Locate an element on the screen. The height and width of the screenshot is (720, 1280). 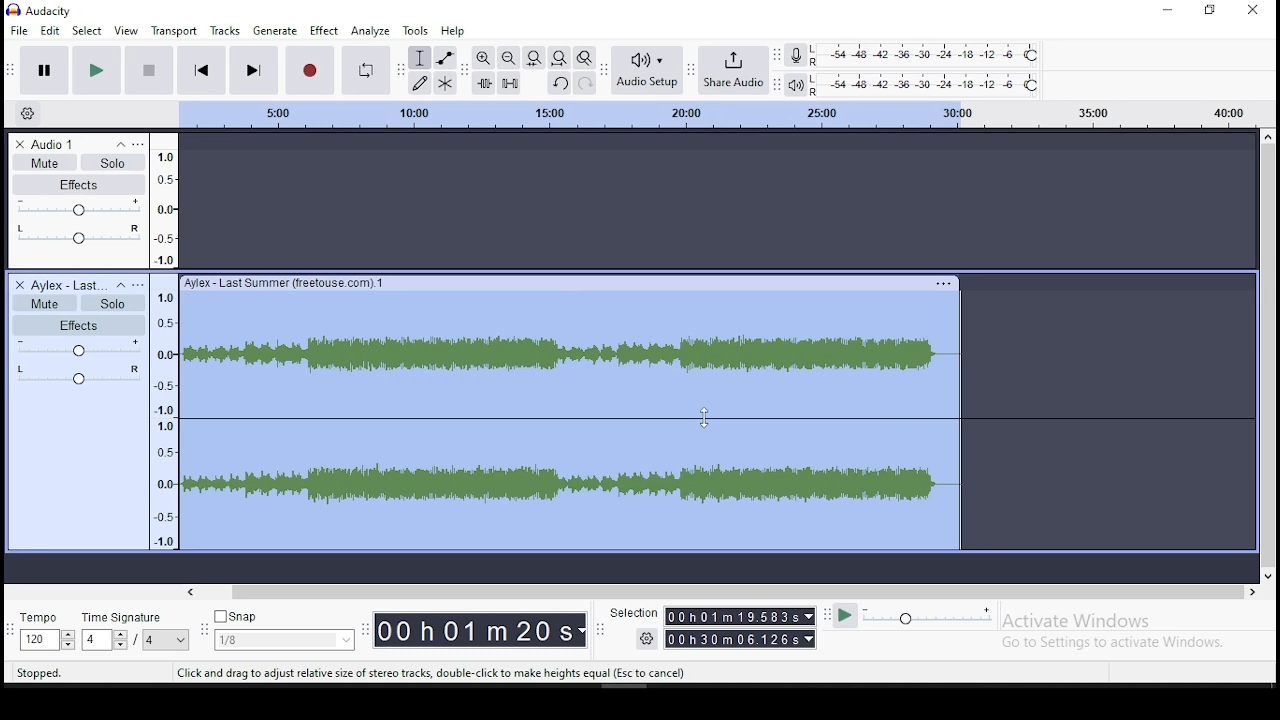
snap is located at coordinates (286, 629).